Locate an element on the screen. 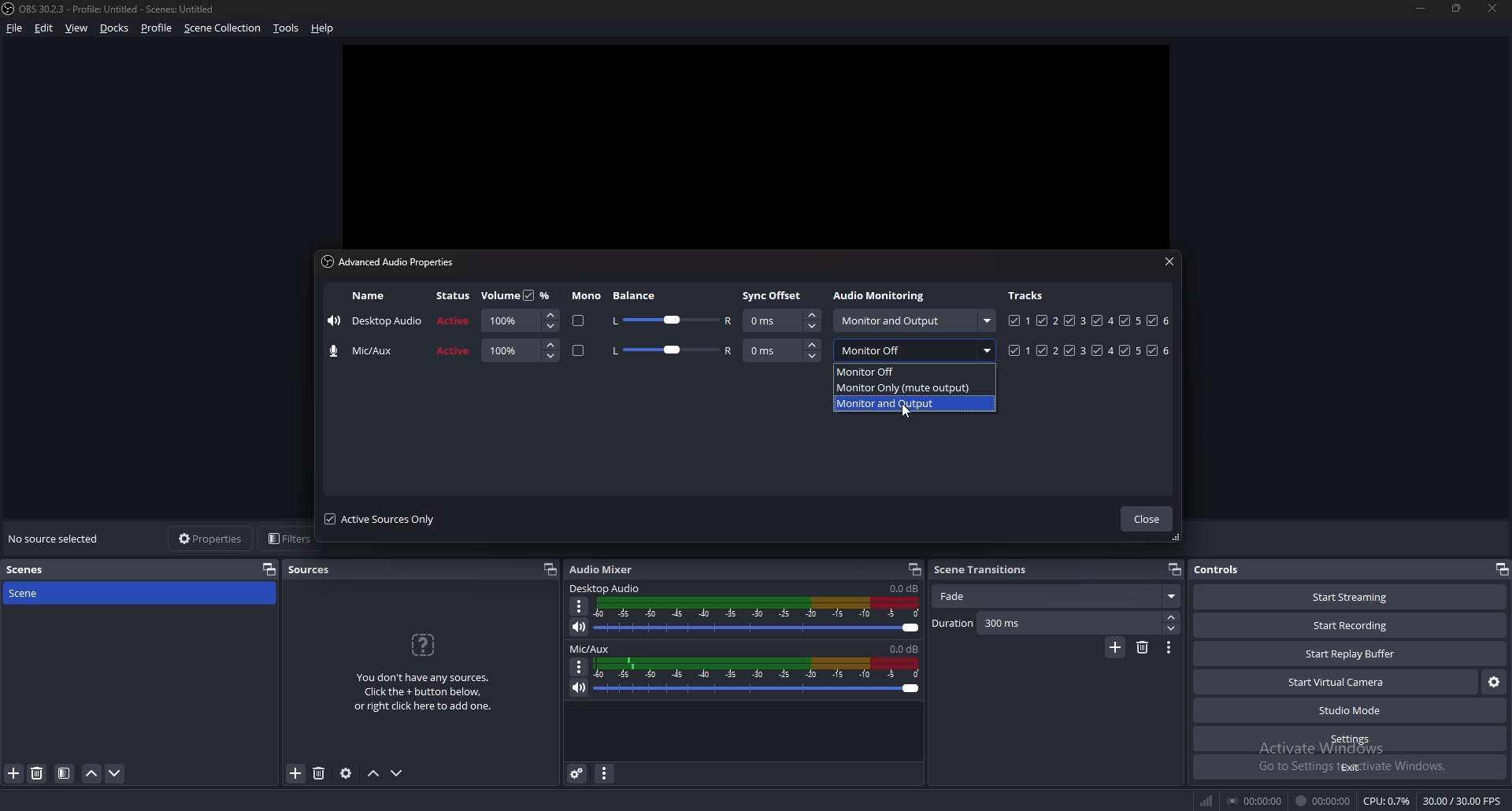  volume adjust is located at coordinates (520, 351).